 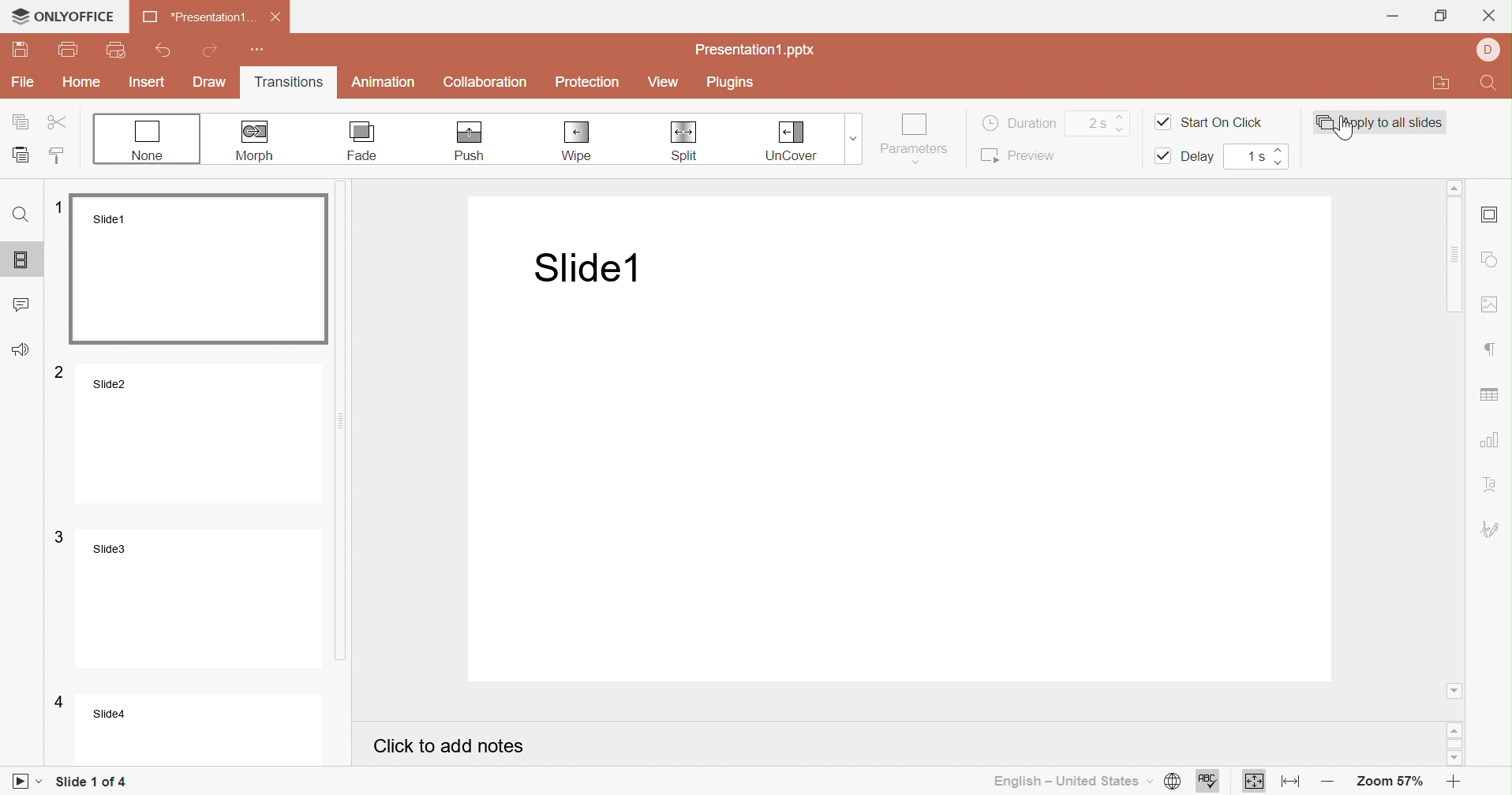 I want to click on Split, so click(x=689, y=142).